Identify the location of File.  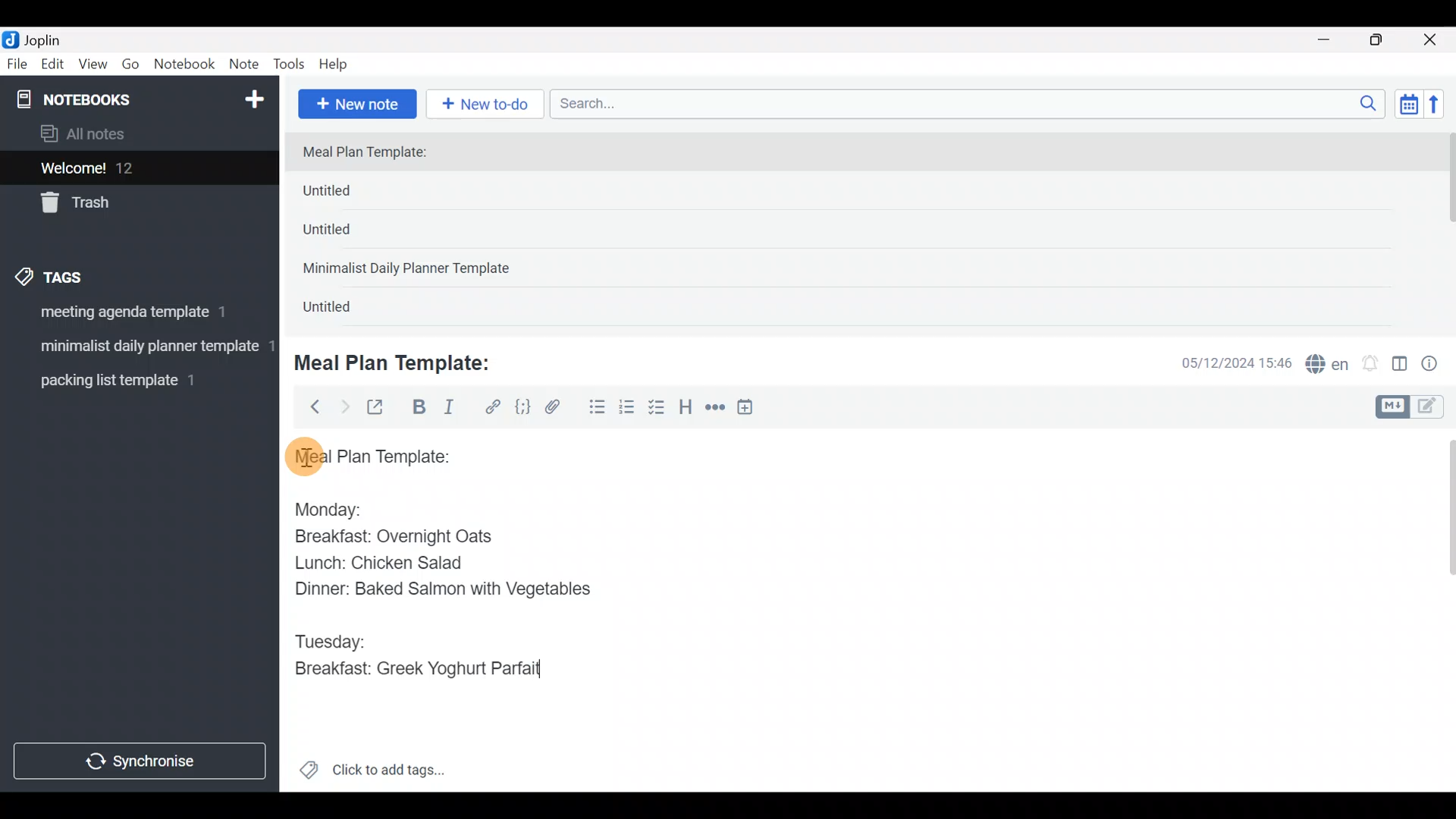
(18, 64).